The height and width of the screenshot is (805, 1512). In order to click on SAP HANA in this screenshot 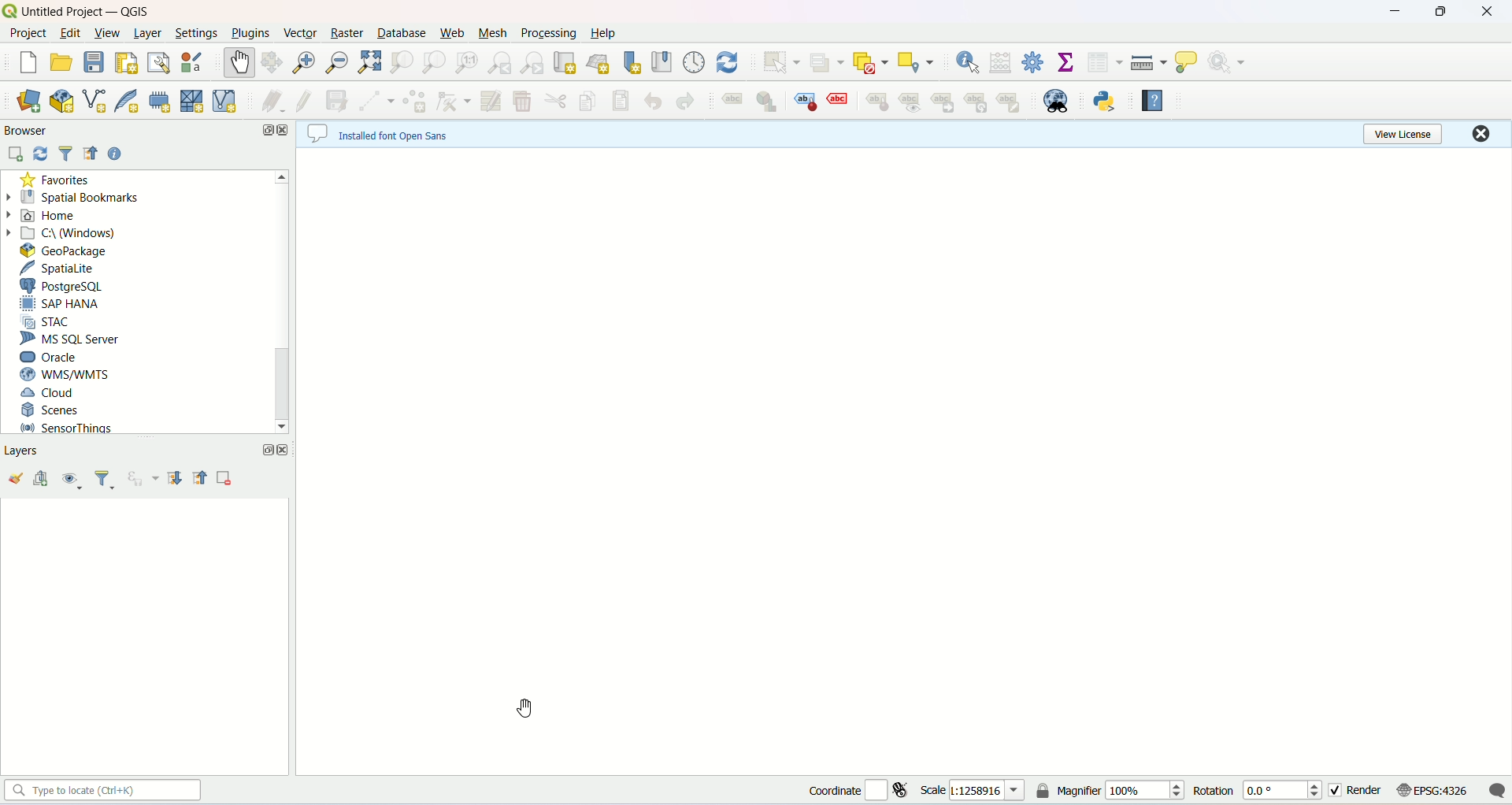, I will do `click(60, 304)`.